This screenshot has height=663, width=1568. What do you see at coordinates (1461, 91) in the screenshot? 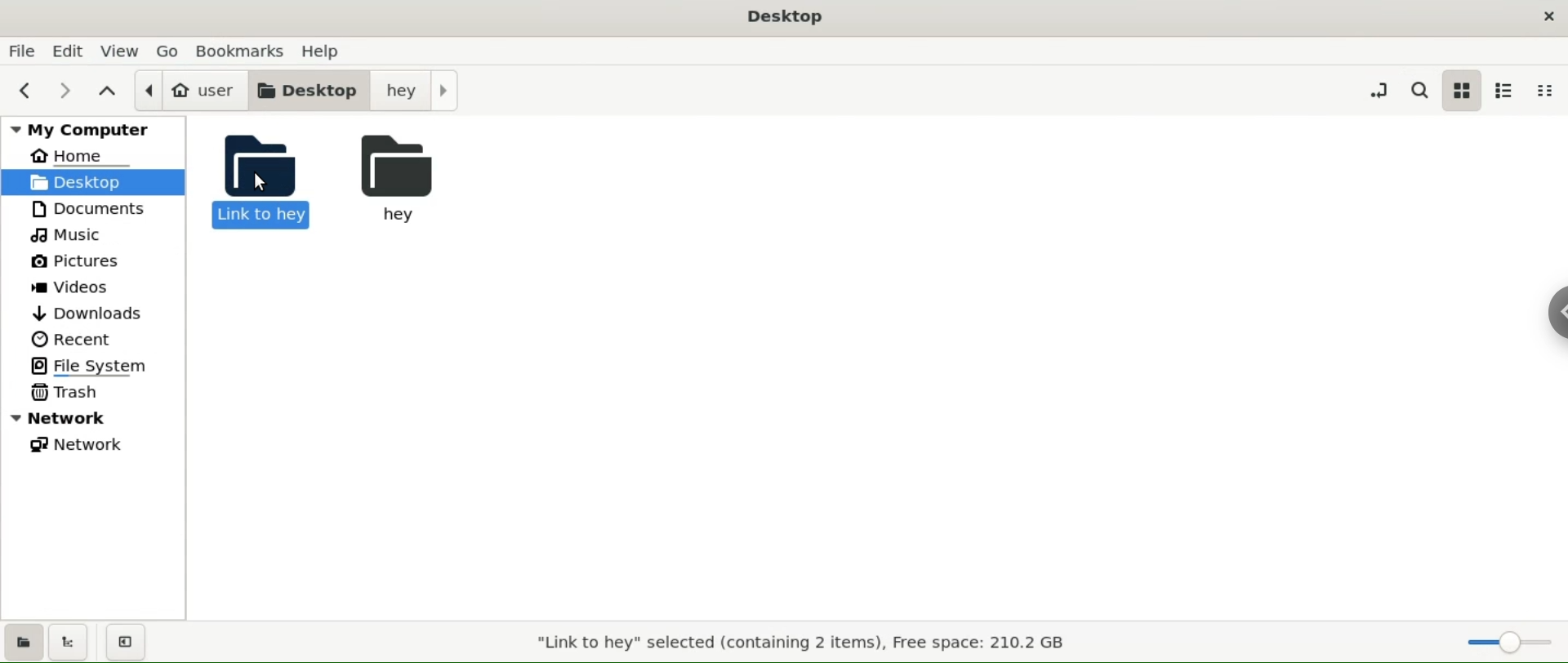
I see `icon view` at bounding box center [1461, 91].